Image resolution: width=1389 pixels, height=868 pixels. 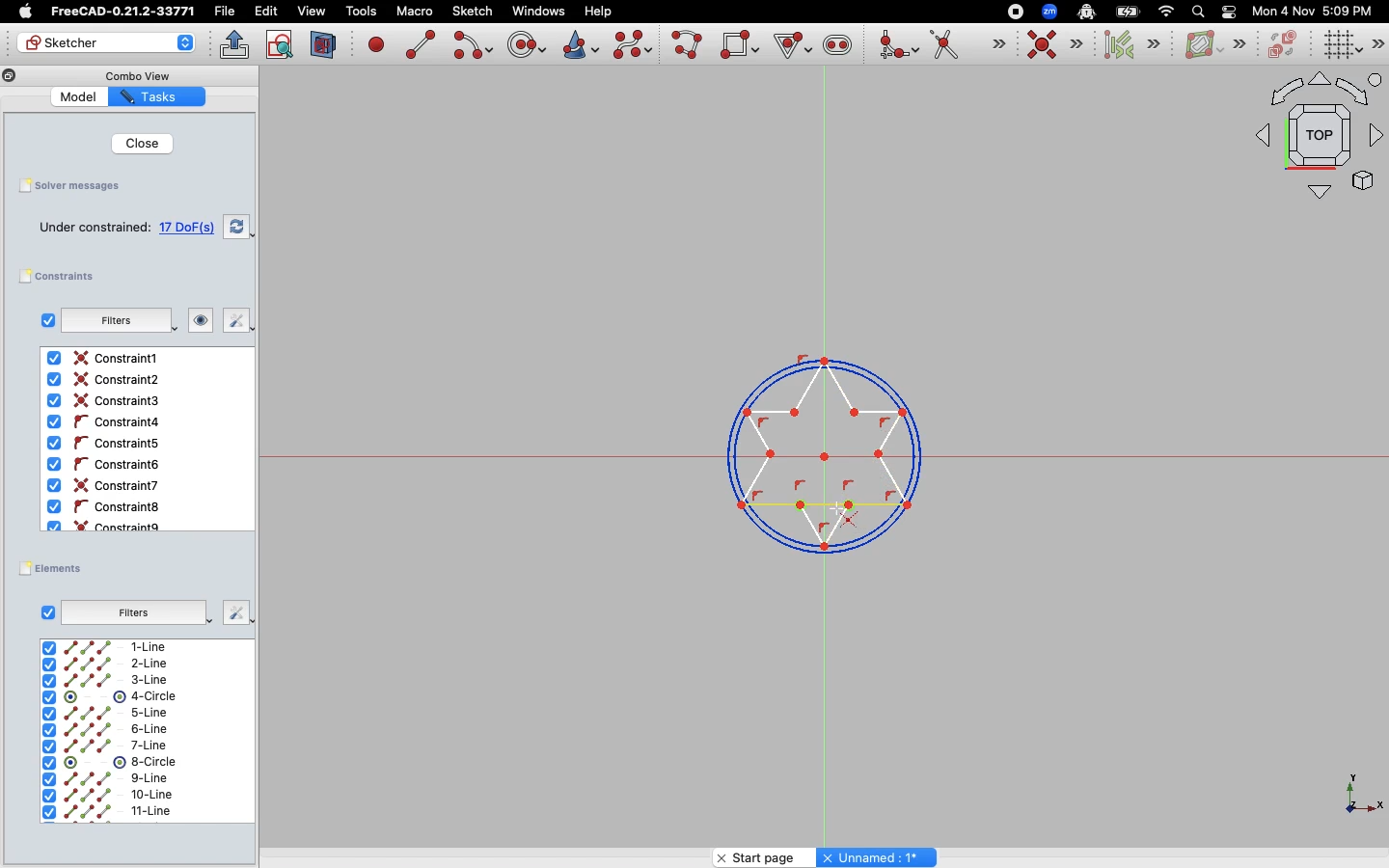 What do you see at coordinates (538, 12) in the screenshot?
I see `Windows` at bounding box center [538, 12].